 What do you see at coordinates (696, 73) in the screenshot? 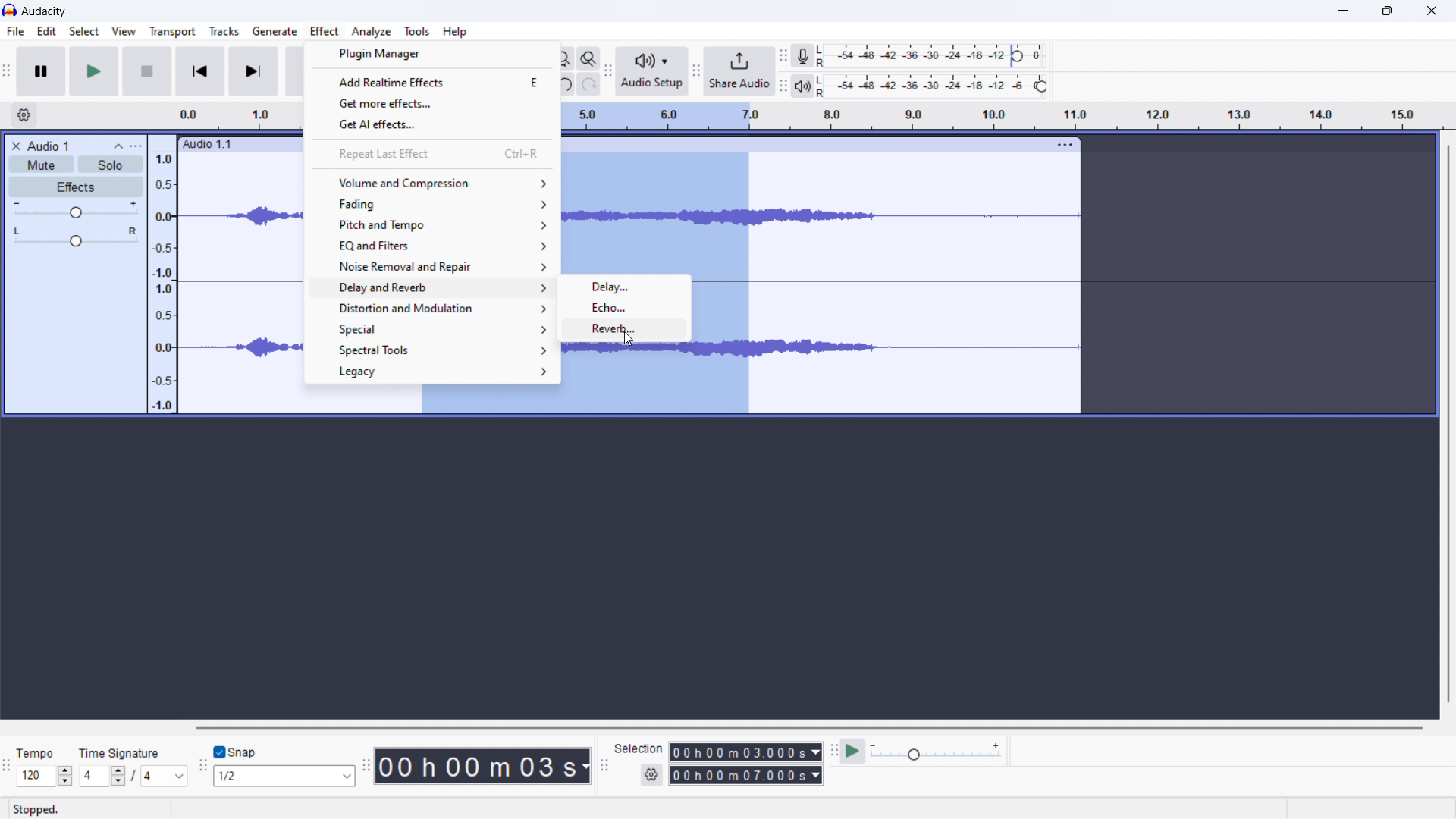
I see `share audio toolbar` at bounding box center [696, 73].